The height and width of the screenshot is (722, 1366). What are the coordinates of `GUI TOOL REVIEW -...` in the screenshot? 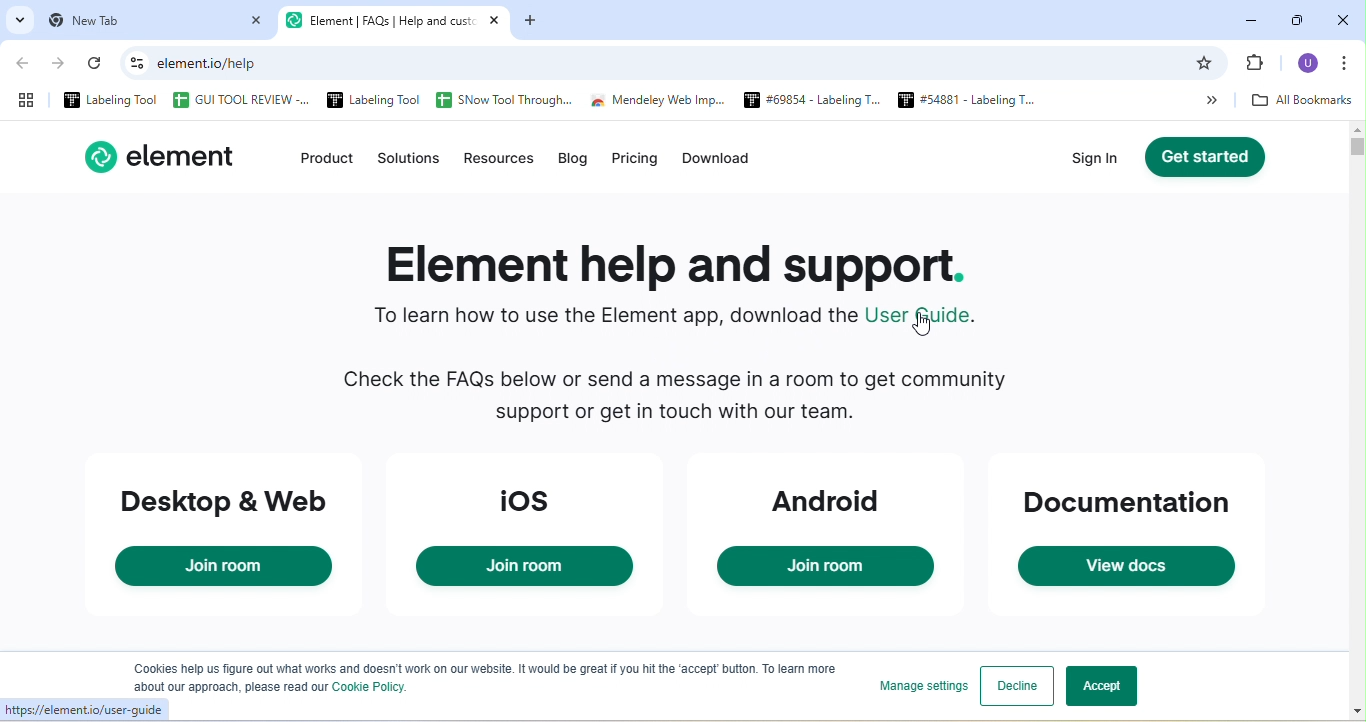 It's located at (240, 100).